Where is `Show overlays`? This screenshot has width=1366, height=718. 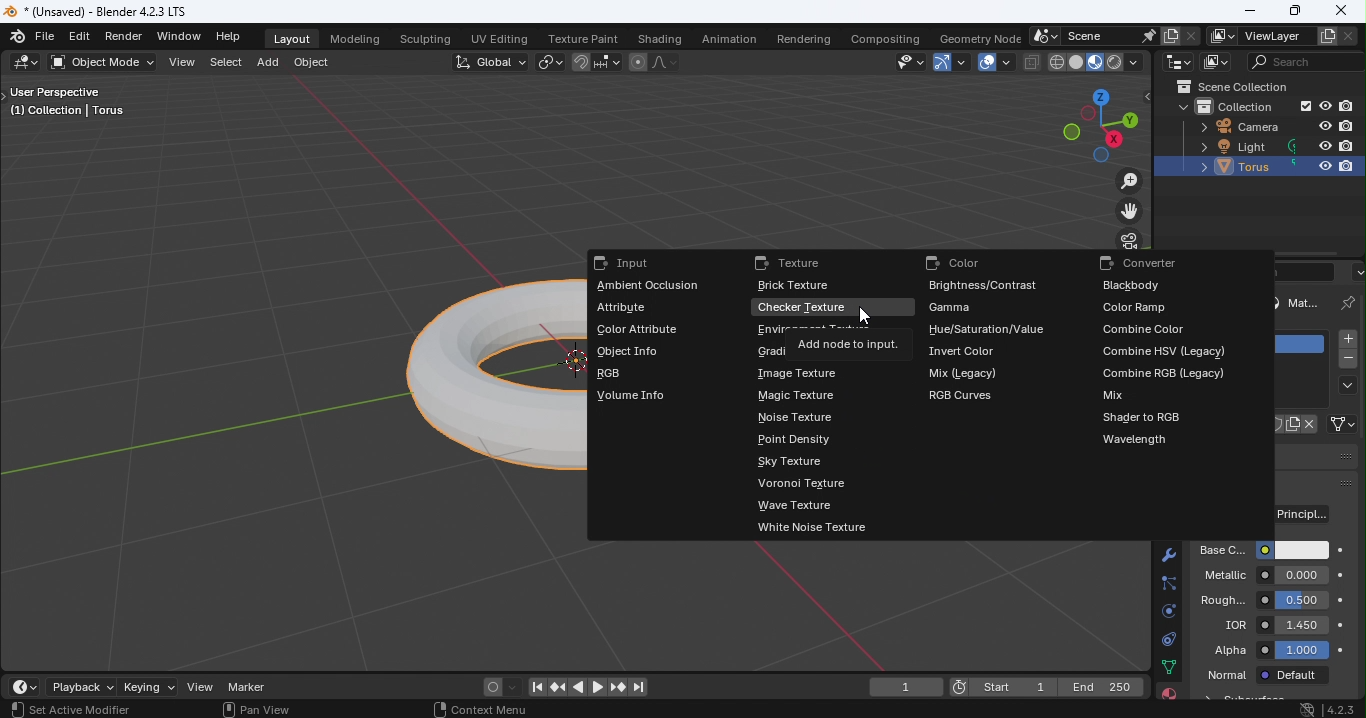
Show overlays is located at coordinates (996, 62).